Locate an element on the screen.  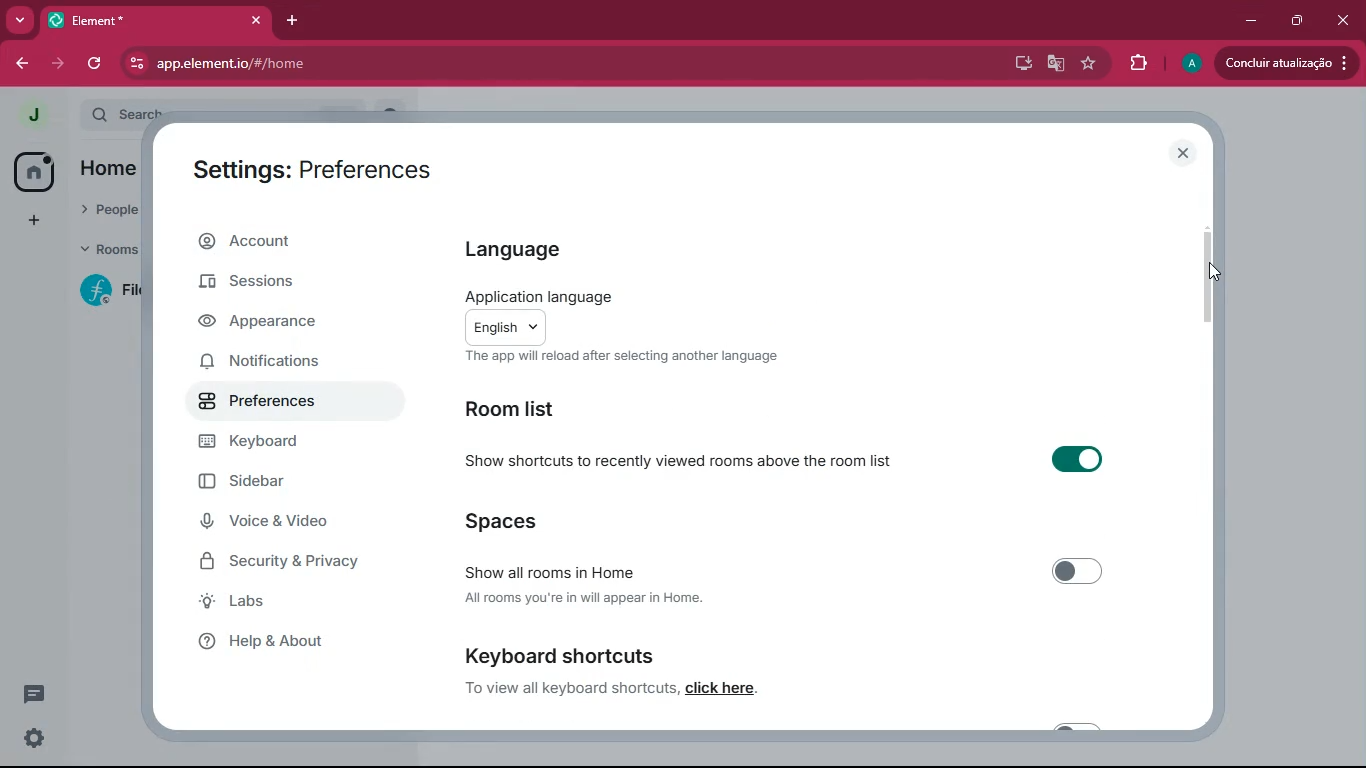
extensions is located at coordinates (1137, 61).